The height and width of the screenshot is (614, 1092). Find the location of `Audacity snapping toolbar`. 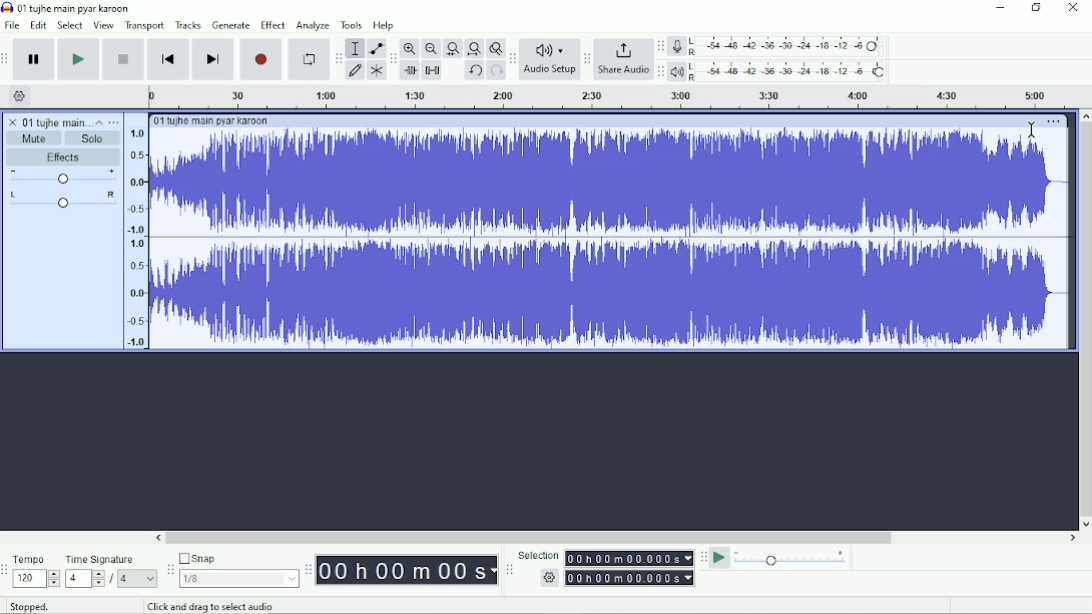

Audacity snapping toolbar is located at coordinates (170, 569).